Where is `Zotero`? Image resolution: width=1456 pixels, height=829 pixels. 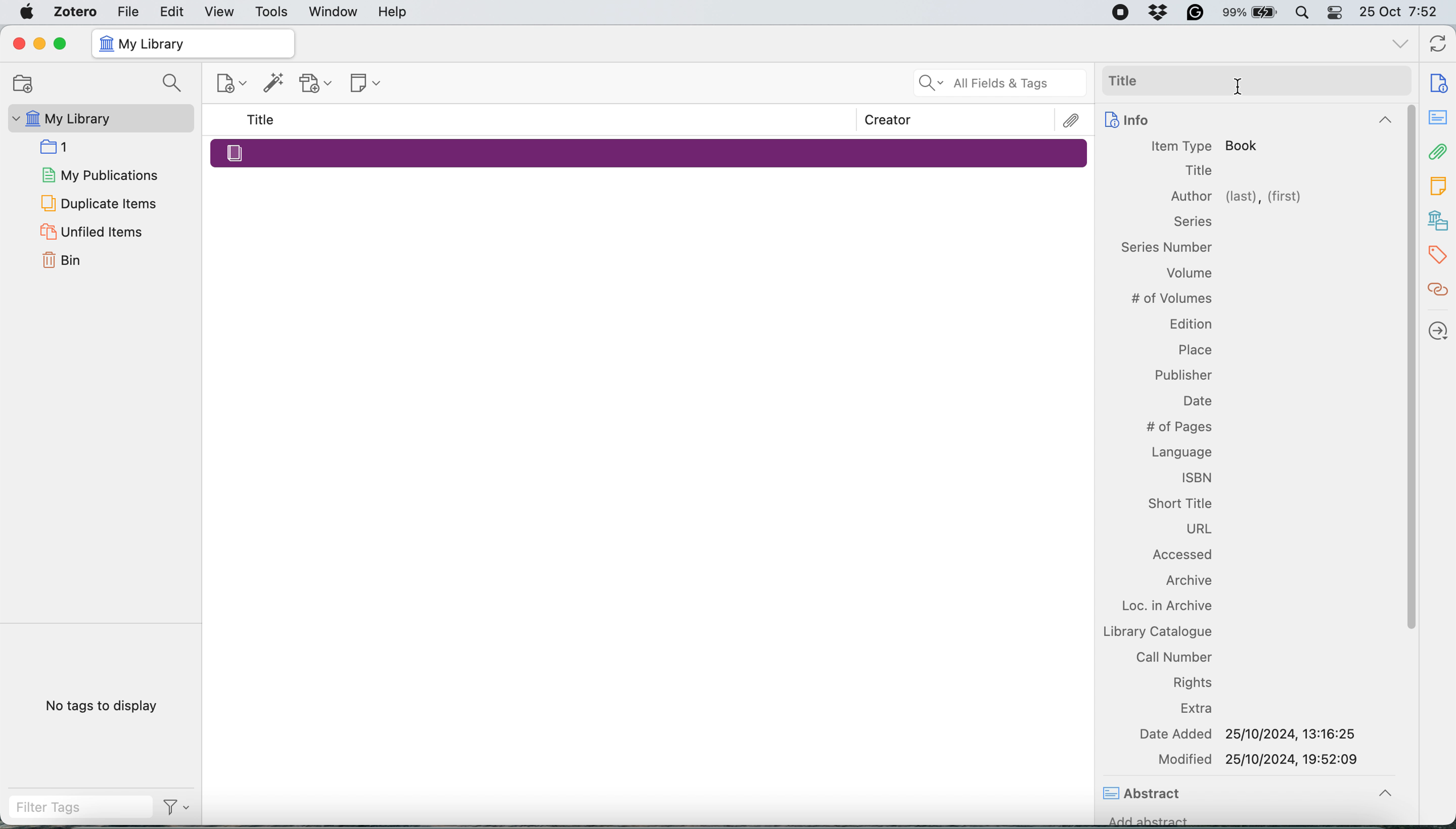 Zotero is located at coordinates (76, 11).